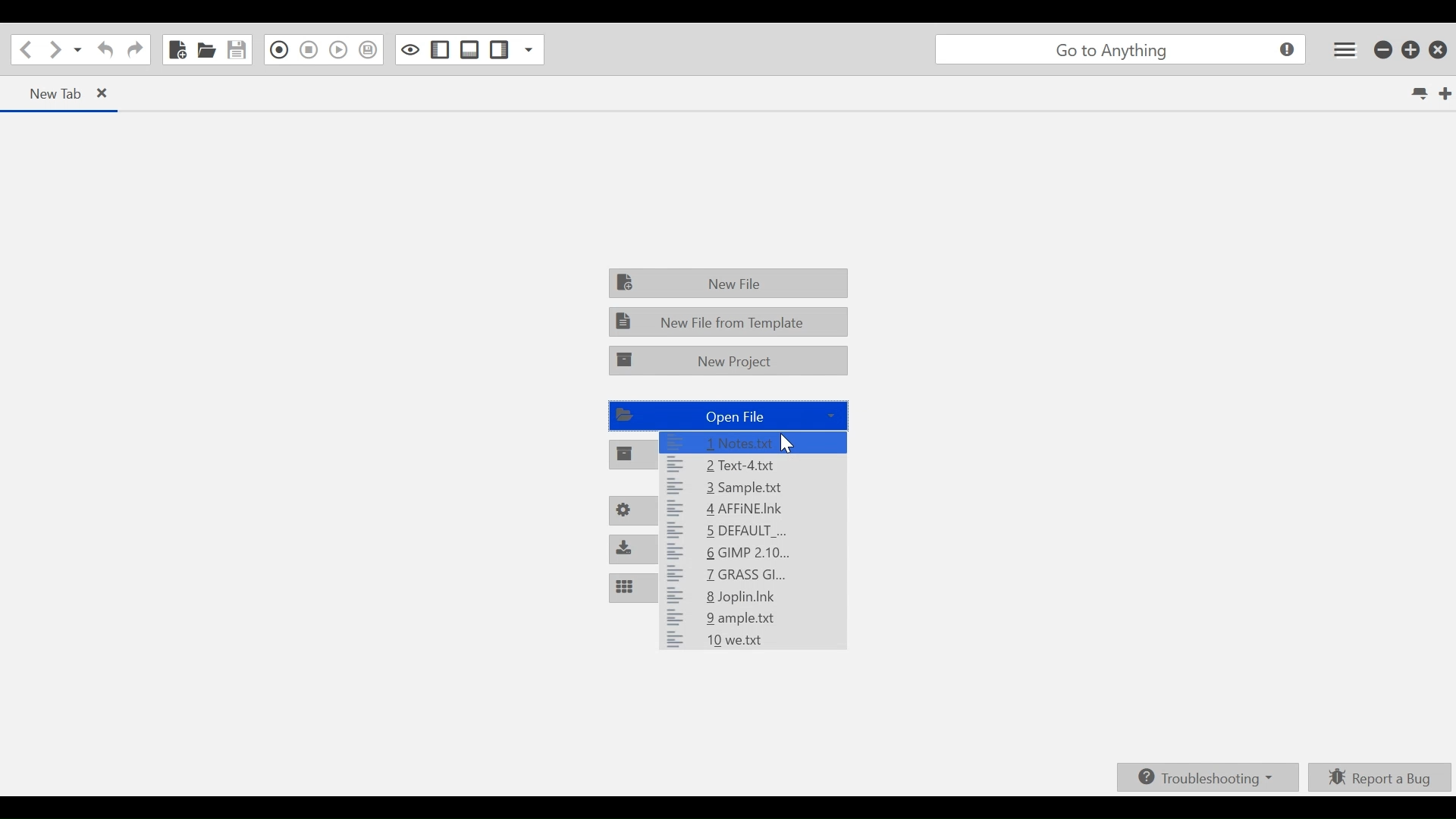  Describe the element at coordinates (108, 93) in the screenshot. I see `close` at that location.